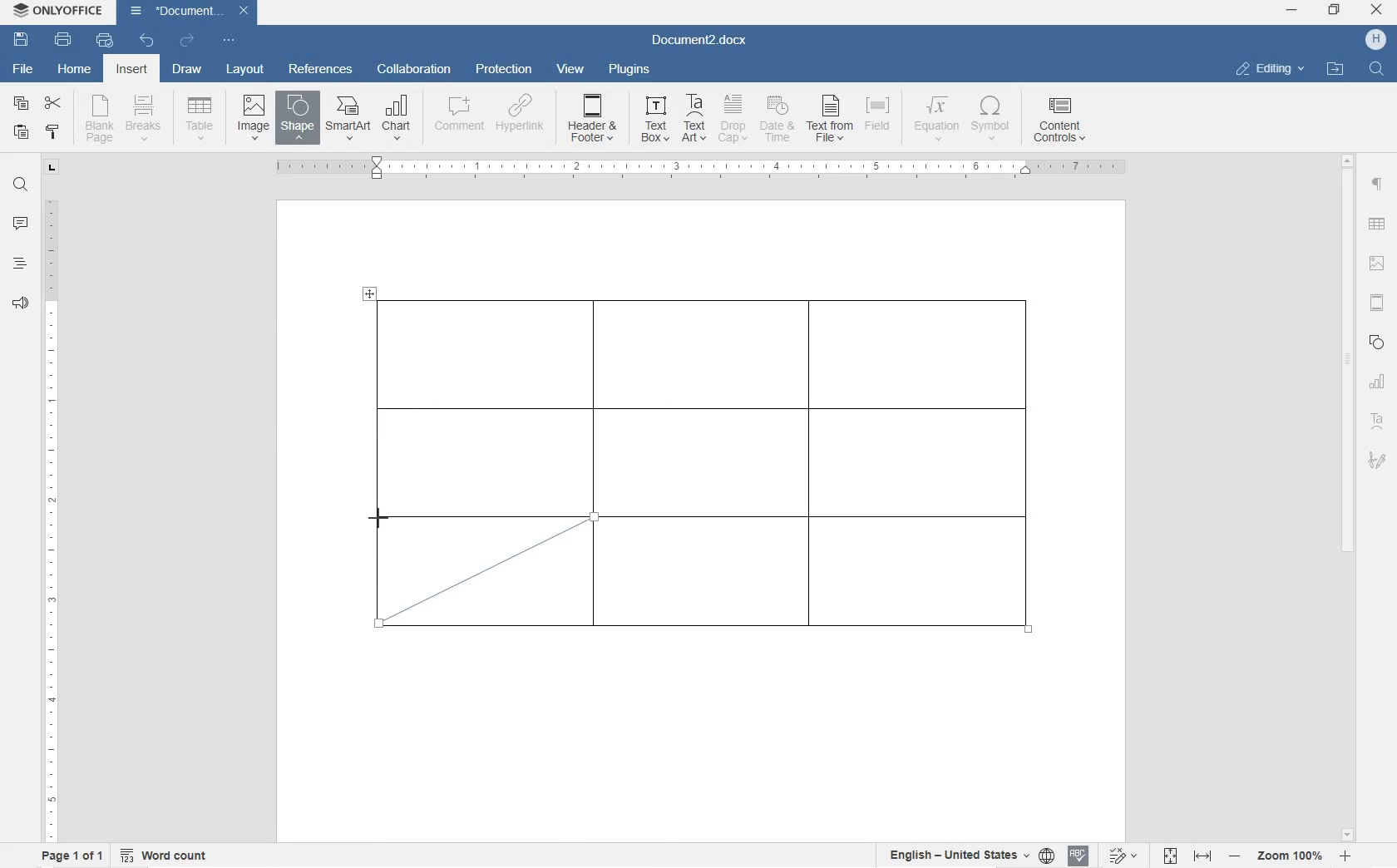  What do you see at coordinates (414, 70) in the screenshot?
I see `collaboration` at bounding box center [414, 70].